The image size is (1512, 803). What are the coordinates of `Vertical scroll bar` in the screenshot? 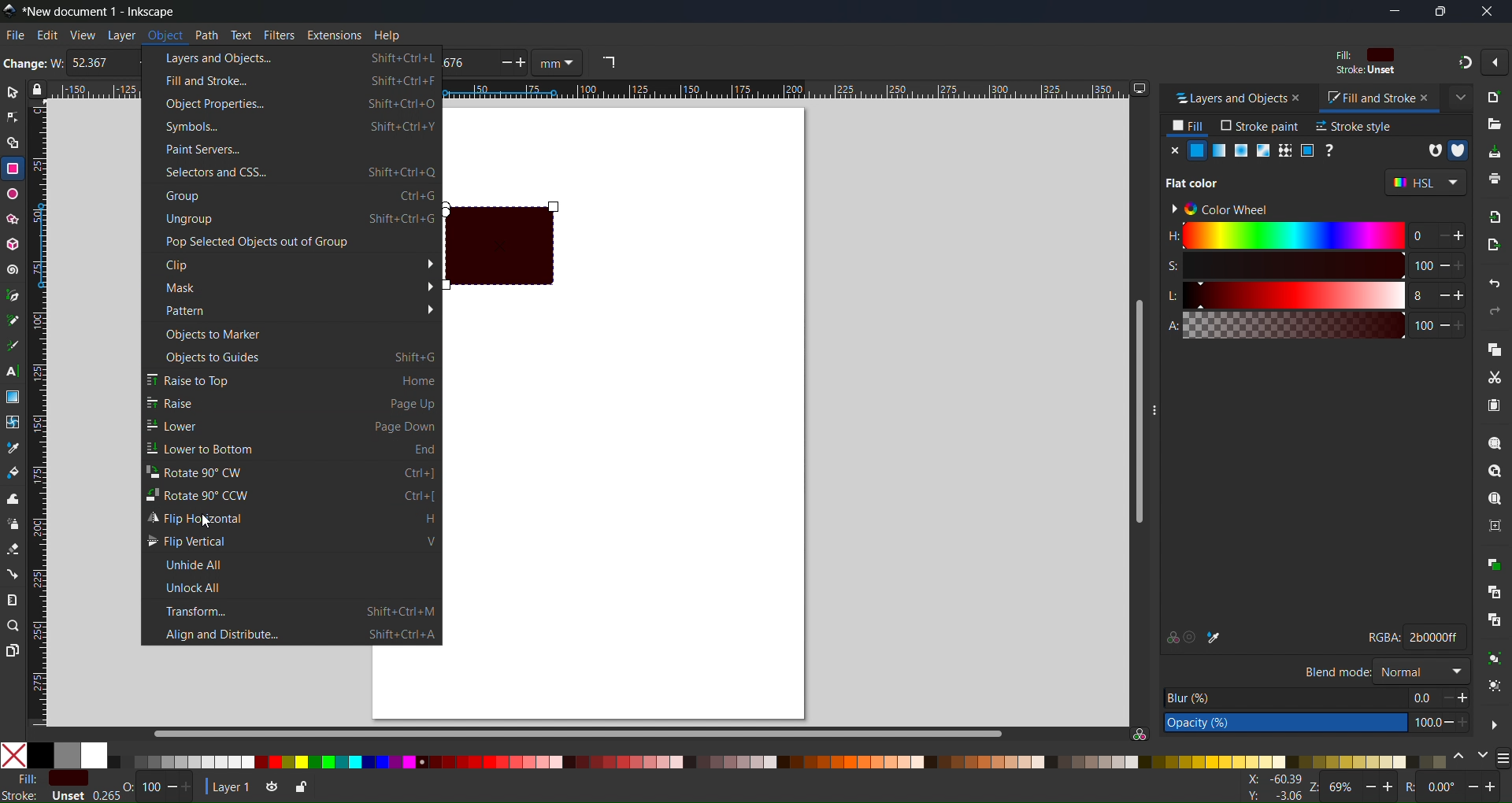 It's located at (1134, 412).